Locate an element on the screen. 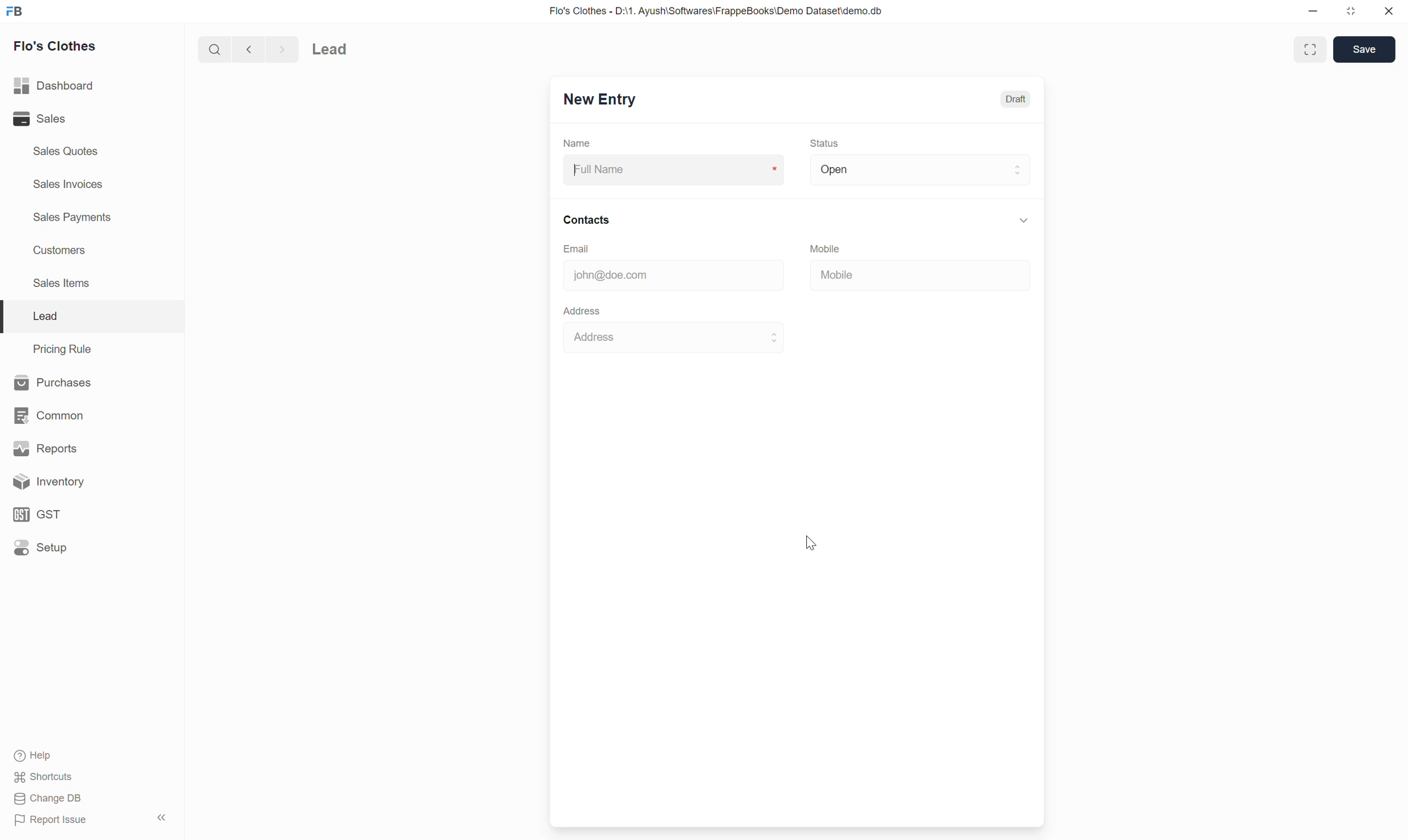  Open is located at coordinates (920, 169).